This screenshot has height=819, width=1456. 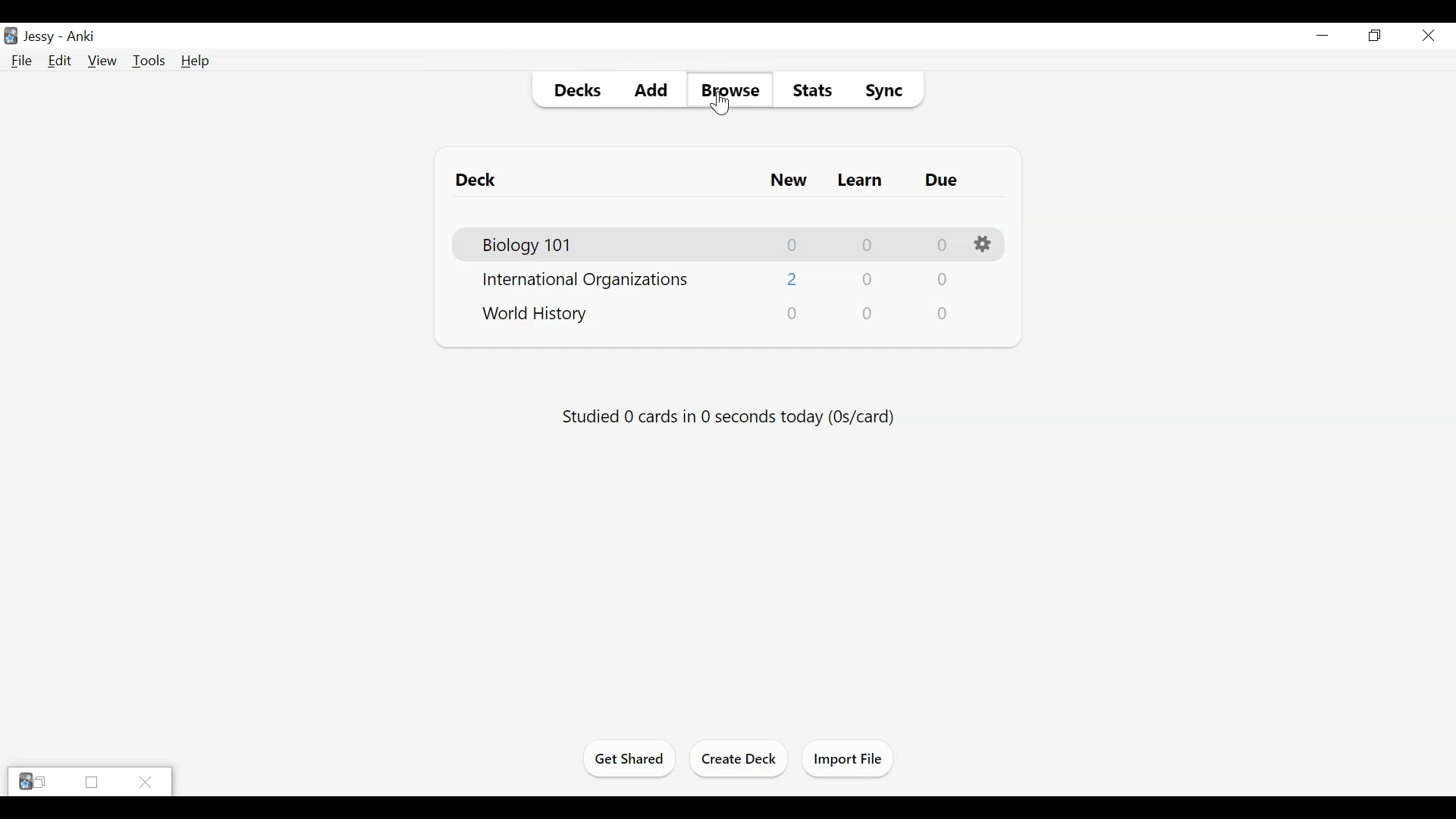 I want to click on Cursor, so click(x=720, y=104).